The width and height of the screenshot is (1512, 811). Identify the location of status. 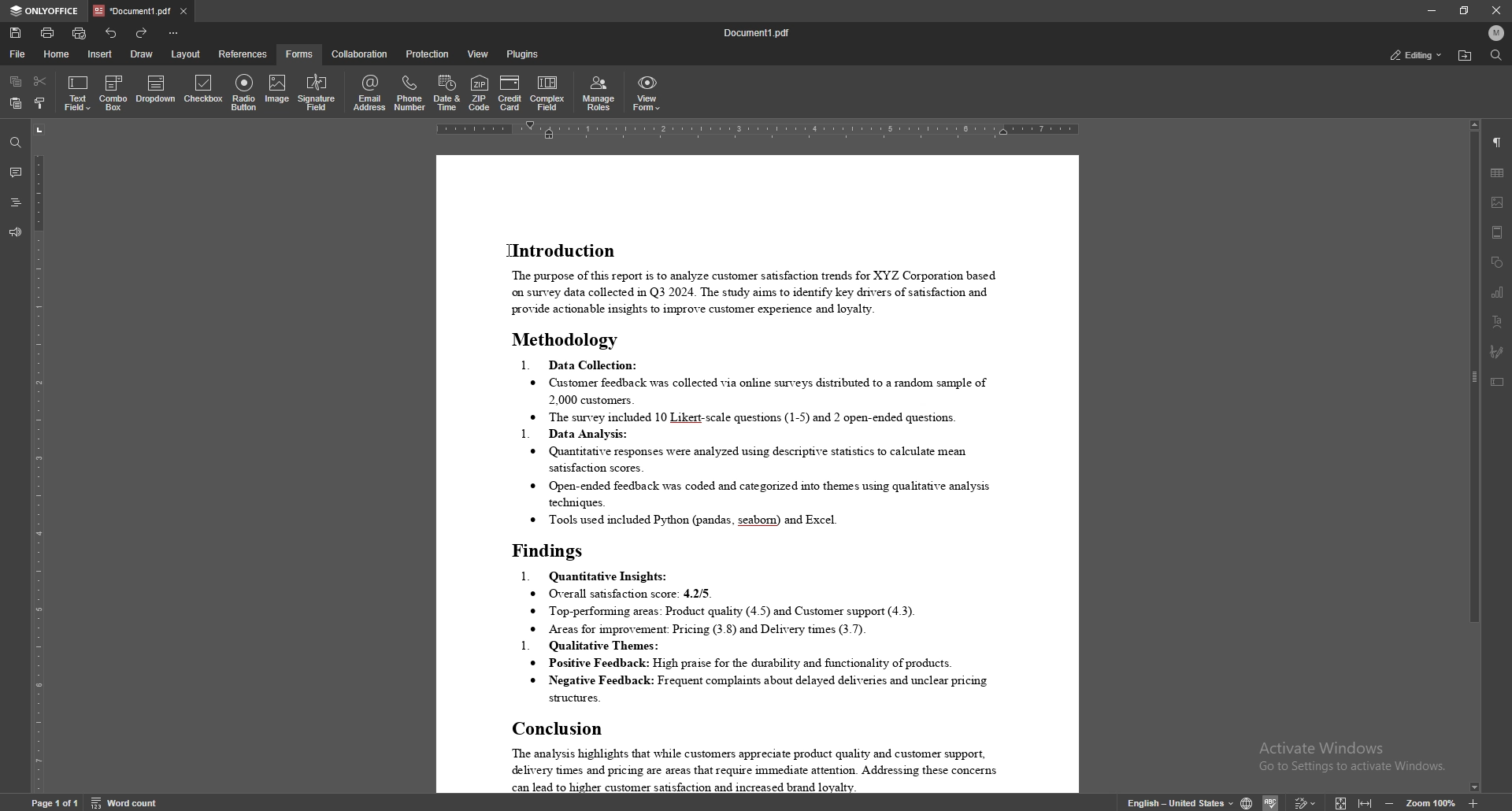
(1417, 55).